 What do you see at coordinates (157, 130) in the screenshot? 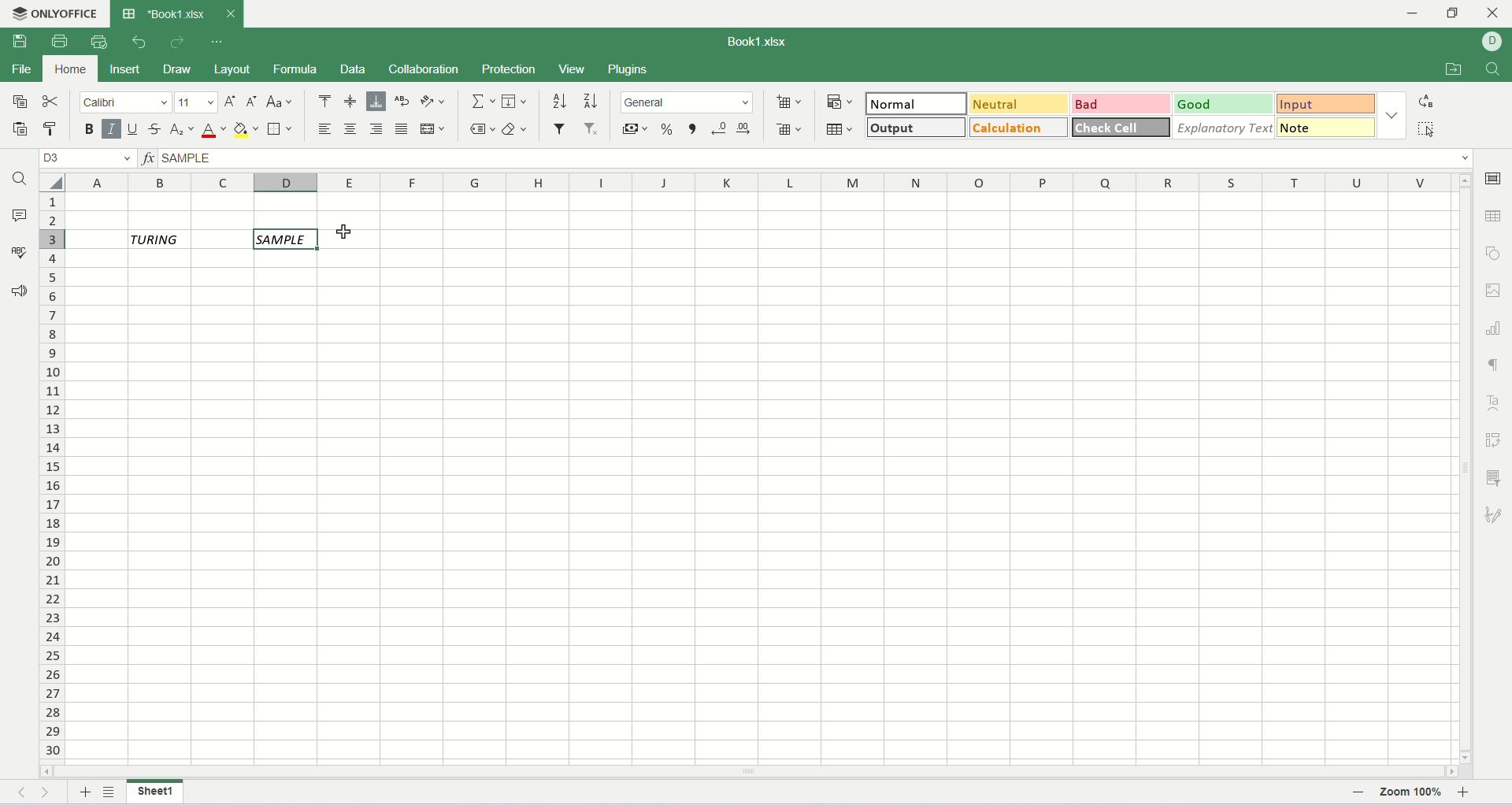
I see `strikethrough` at bounding box center [157, 130].